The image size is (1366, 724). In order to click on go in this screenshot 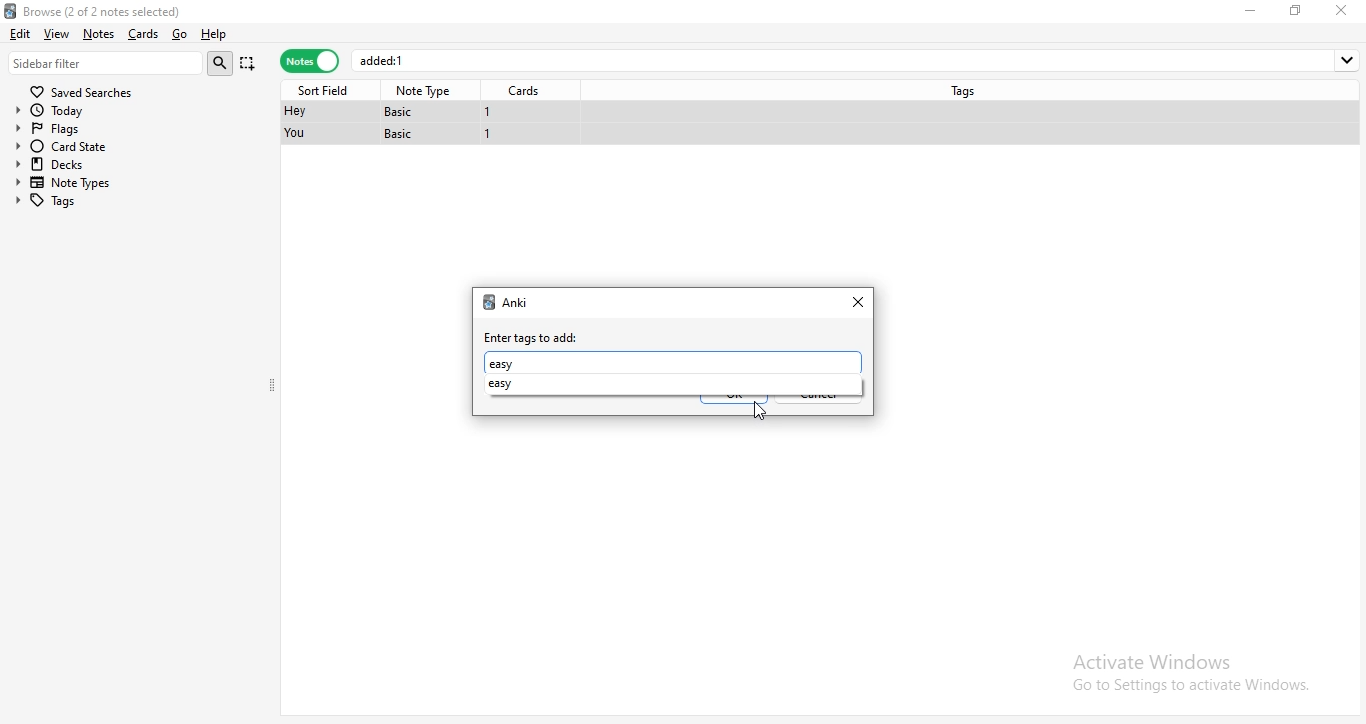, I will do `click(178, 35)`.